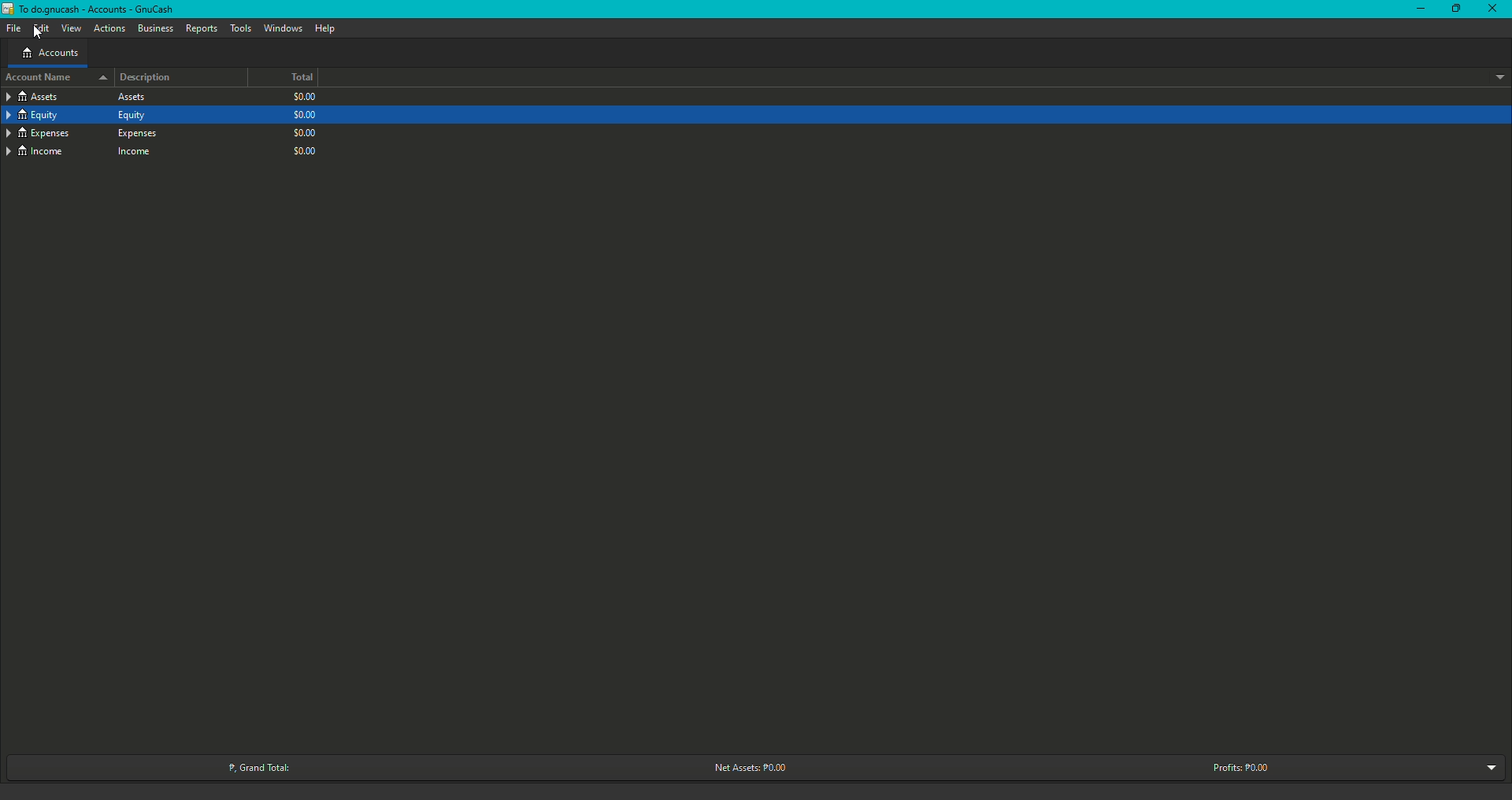 The width and height of the screenshot is (1512, 800). I want to click on Windows, so click(283, 28).